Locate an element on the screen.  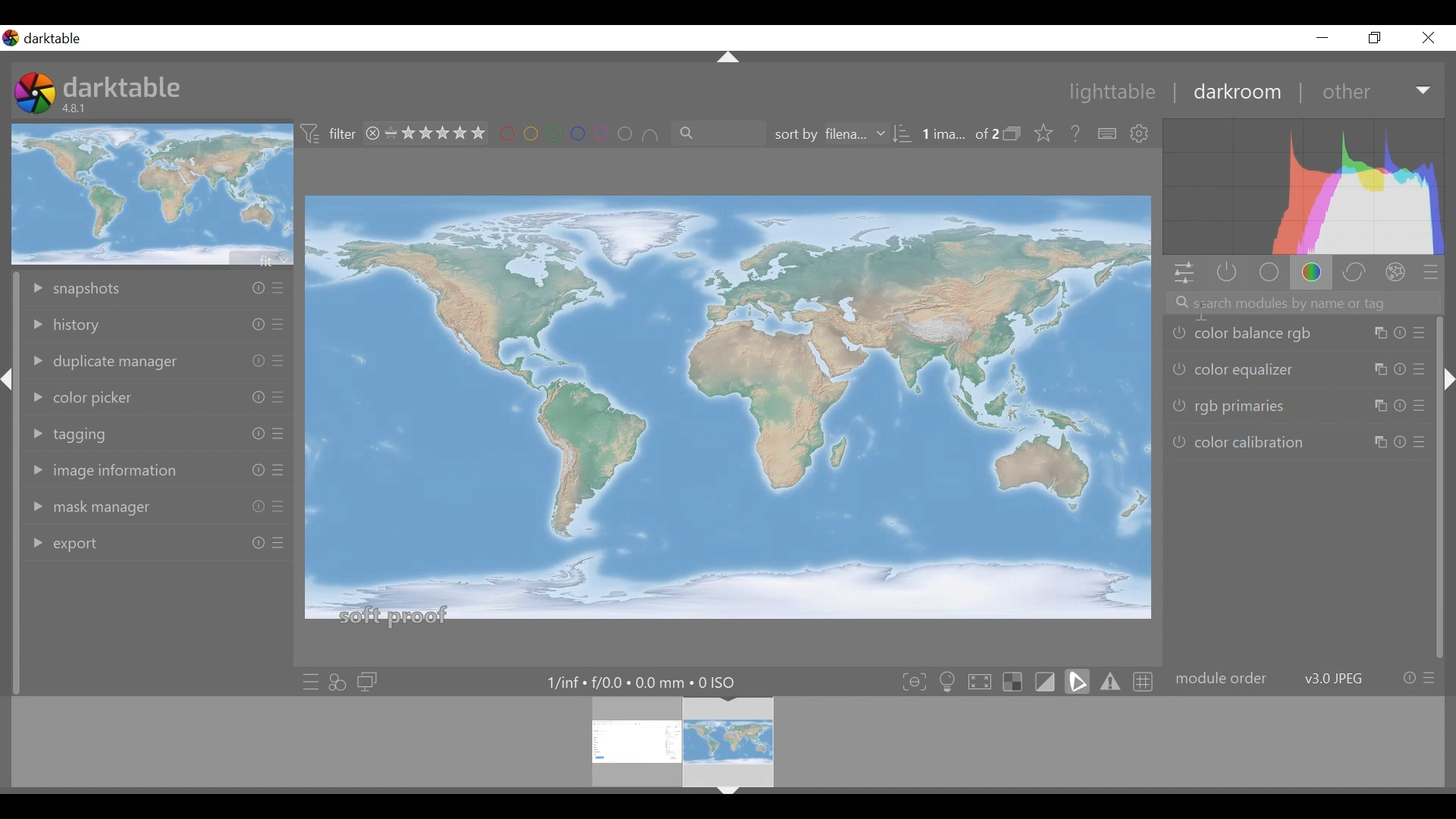
duplicate manager is located at coordinates (105, 362).